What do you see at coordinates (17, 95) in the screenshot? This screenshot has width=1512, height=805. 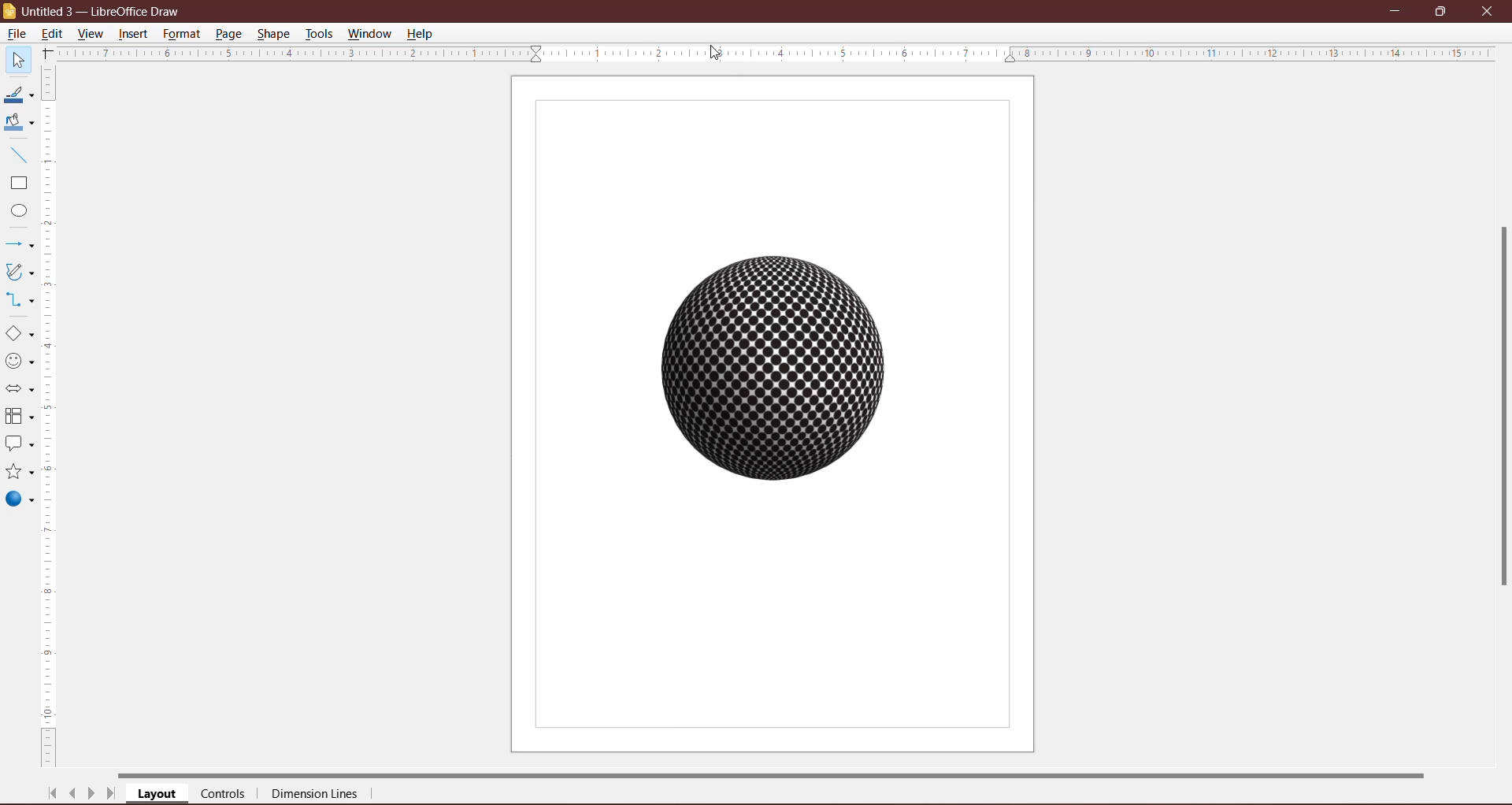 I see `Line Color` at bounding box center [17, 95].